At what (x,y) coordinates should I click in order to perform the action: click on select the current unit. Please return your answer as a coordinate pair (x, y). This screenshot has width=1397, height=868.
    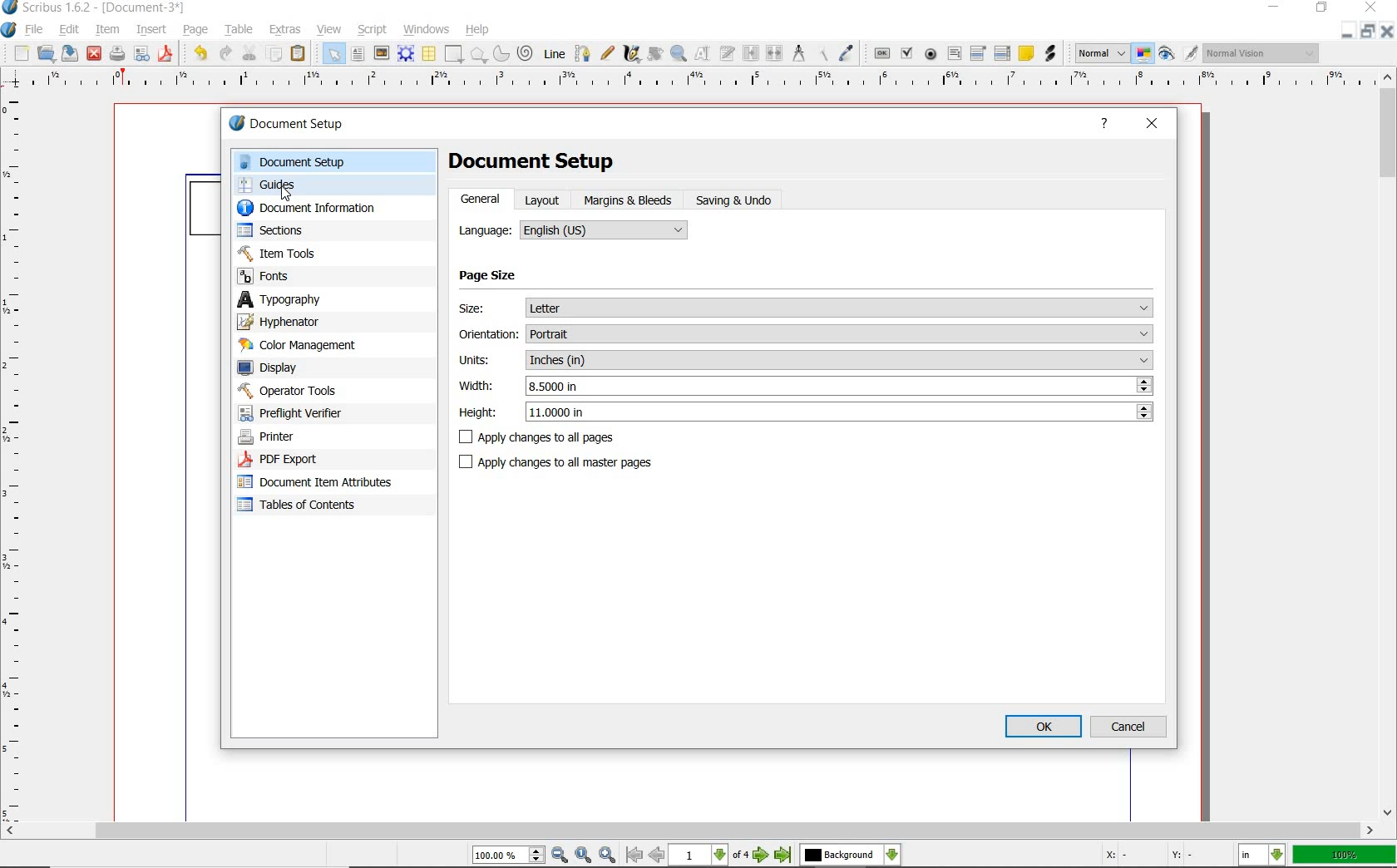
    Looking at the image, I should click on (1264, 856).